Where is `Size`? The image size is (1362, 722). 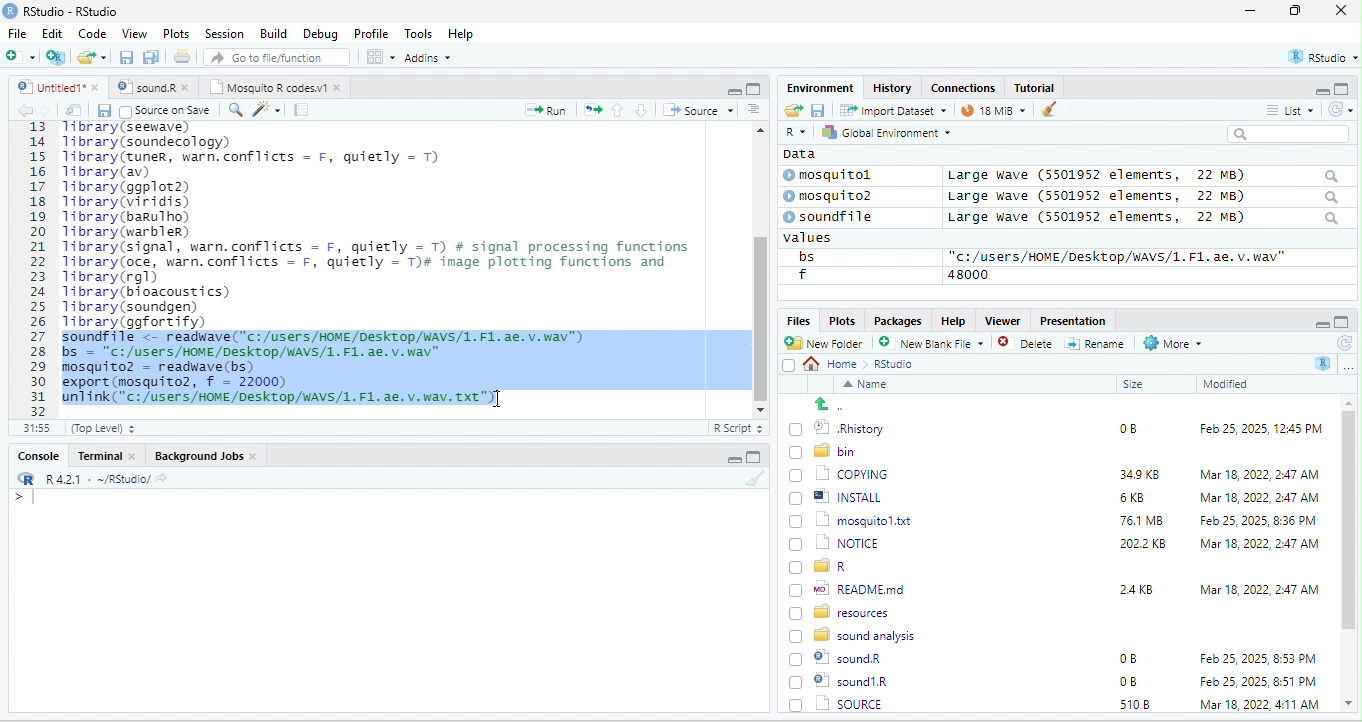 Size is located at coordinates (1134, 385).